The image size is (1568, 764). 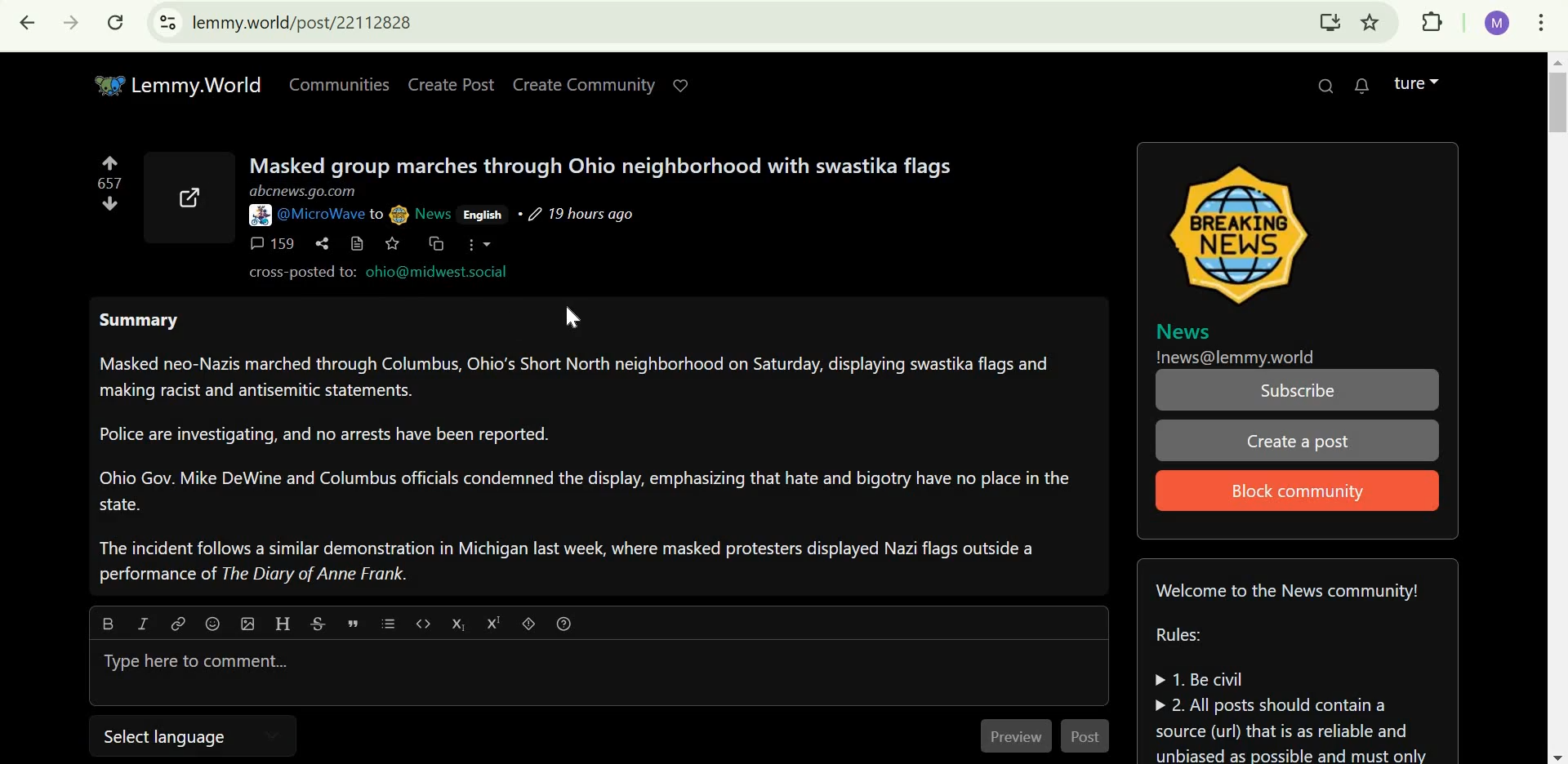 I want to click on list, so click(x=390, y=624).